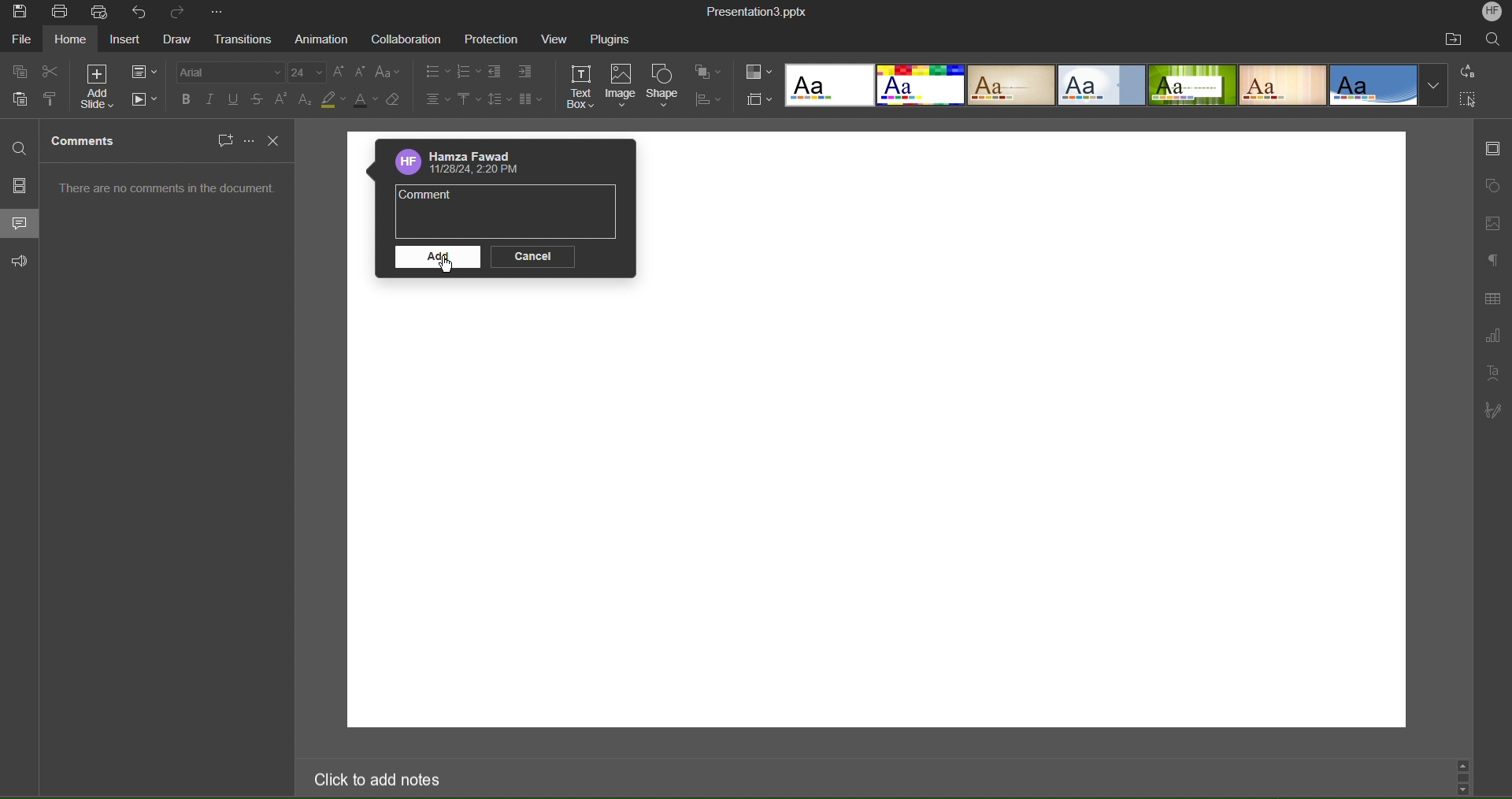 The width and height of the screenshot is (1512, 799). What do you see at coordinates (500, 100) in the screenshot?
I see `Line Spacing` at bounding box center [500, 100].